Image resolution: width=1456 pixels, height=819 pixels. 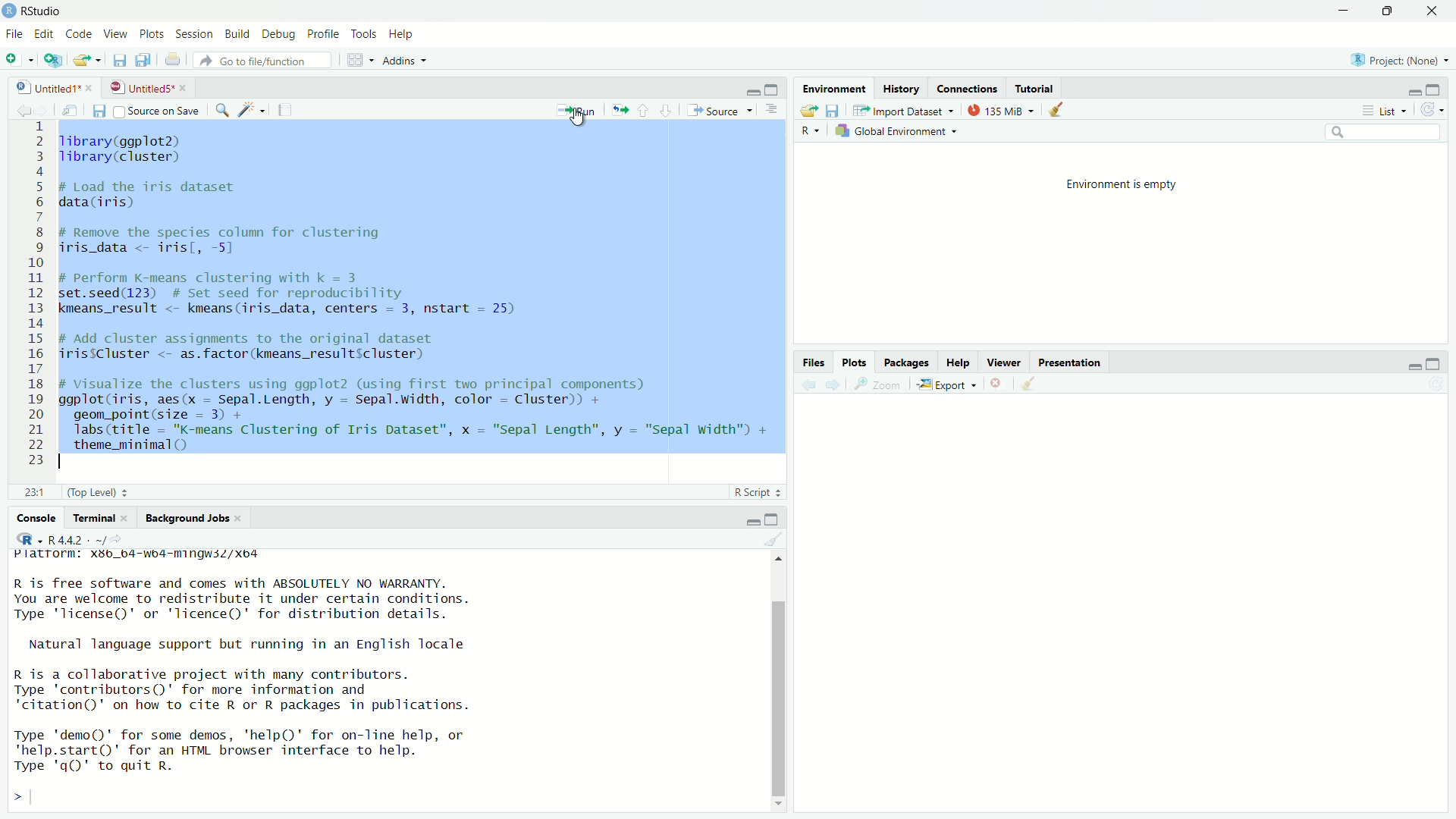 I want to click on remove the current plot, so click(x=996, y=385).